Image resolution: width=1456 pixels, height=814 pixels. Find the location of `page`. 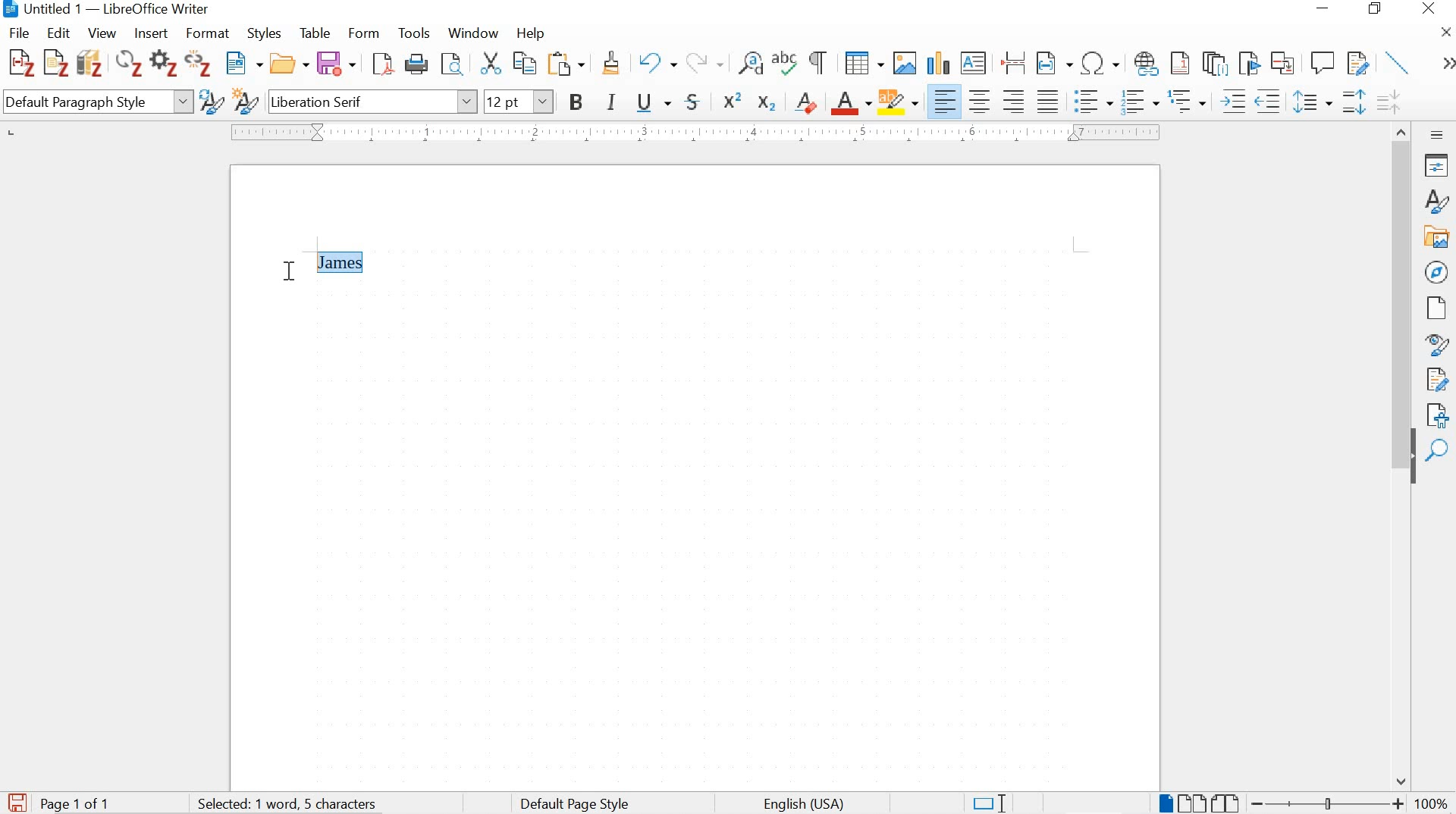

page is located at coordinates (1436, 308).